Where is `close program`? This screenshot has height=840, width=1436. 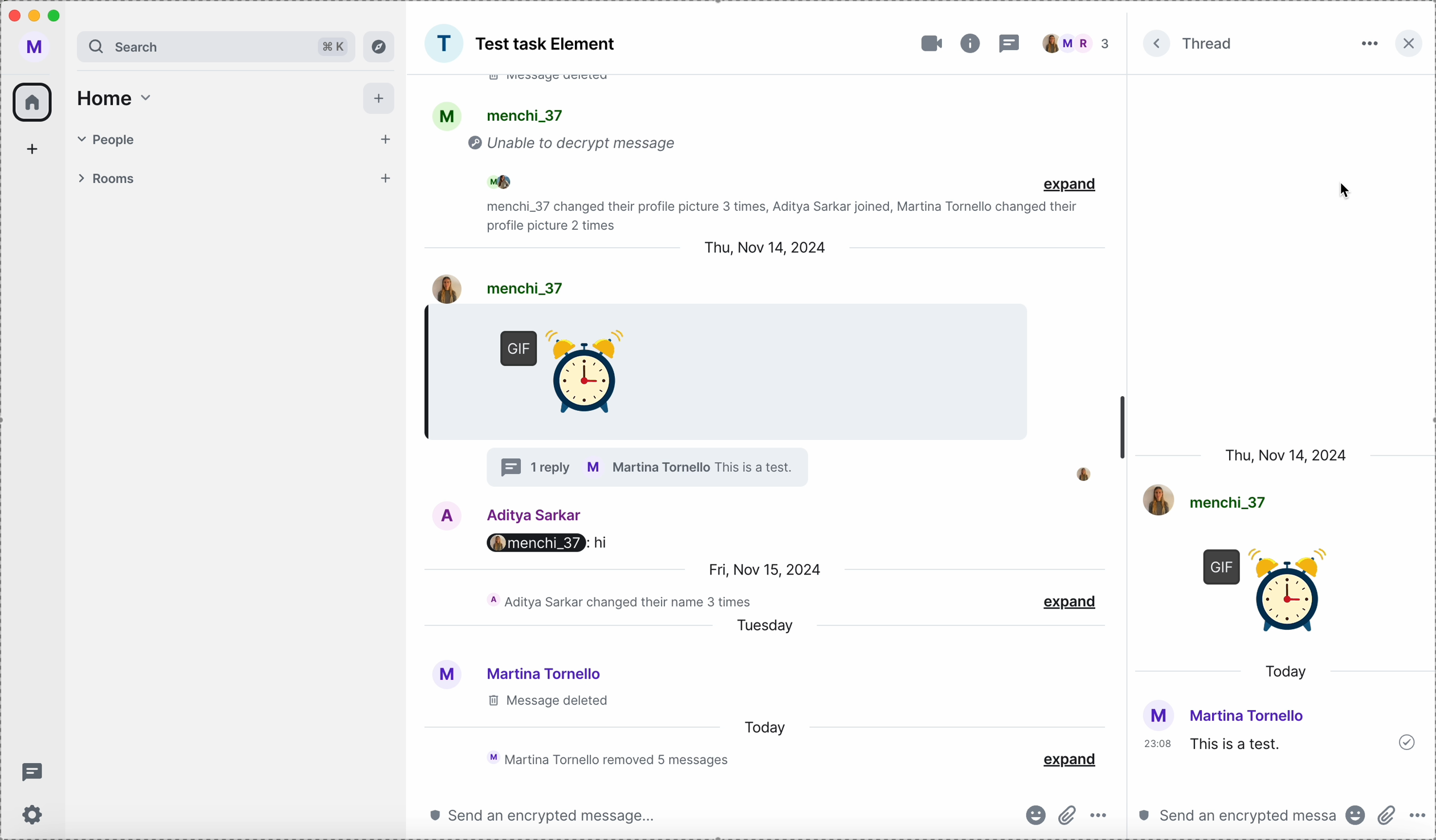
close program is located at coordinates (13, 15).